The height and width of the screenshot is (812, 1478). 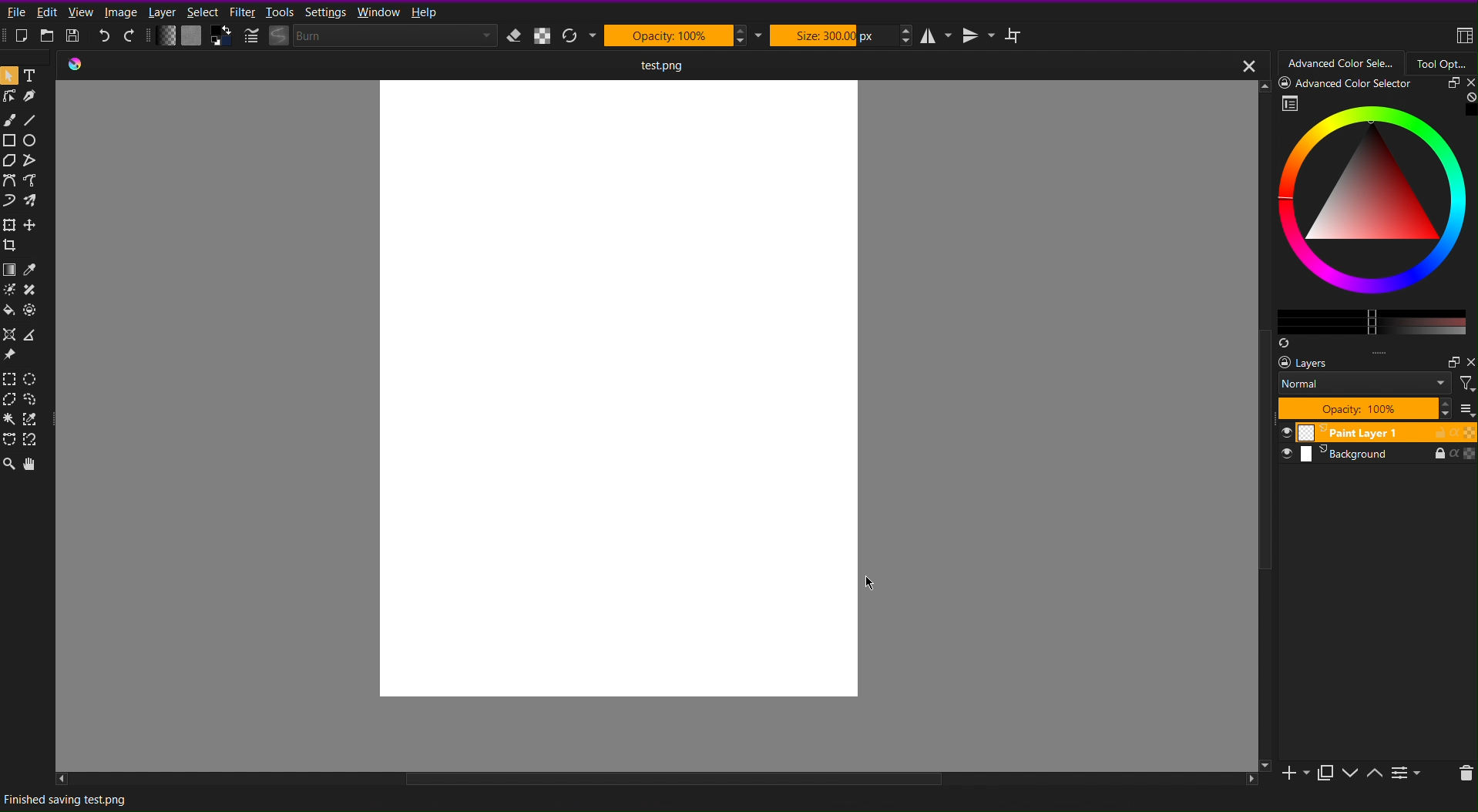 I want to click on Opacity, so click(x=676, y=35).